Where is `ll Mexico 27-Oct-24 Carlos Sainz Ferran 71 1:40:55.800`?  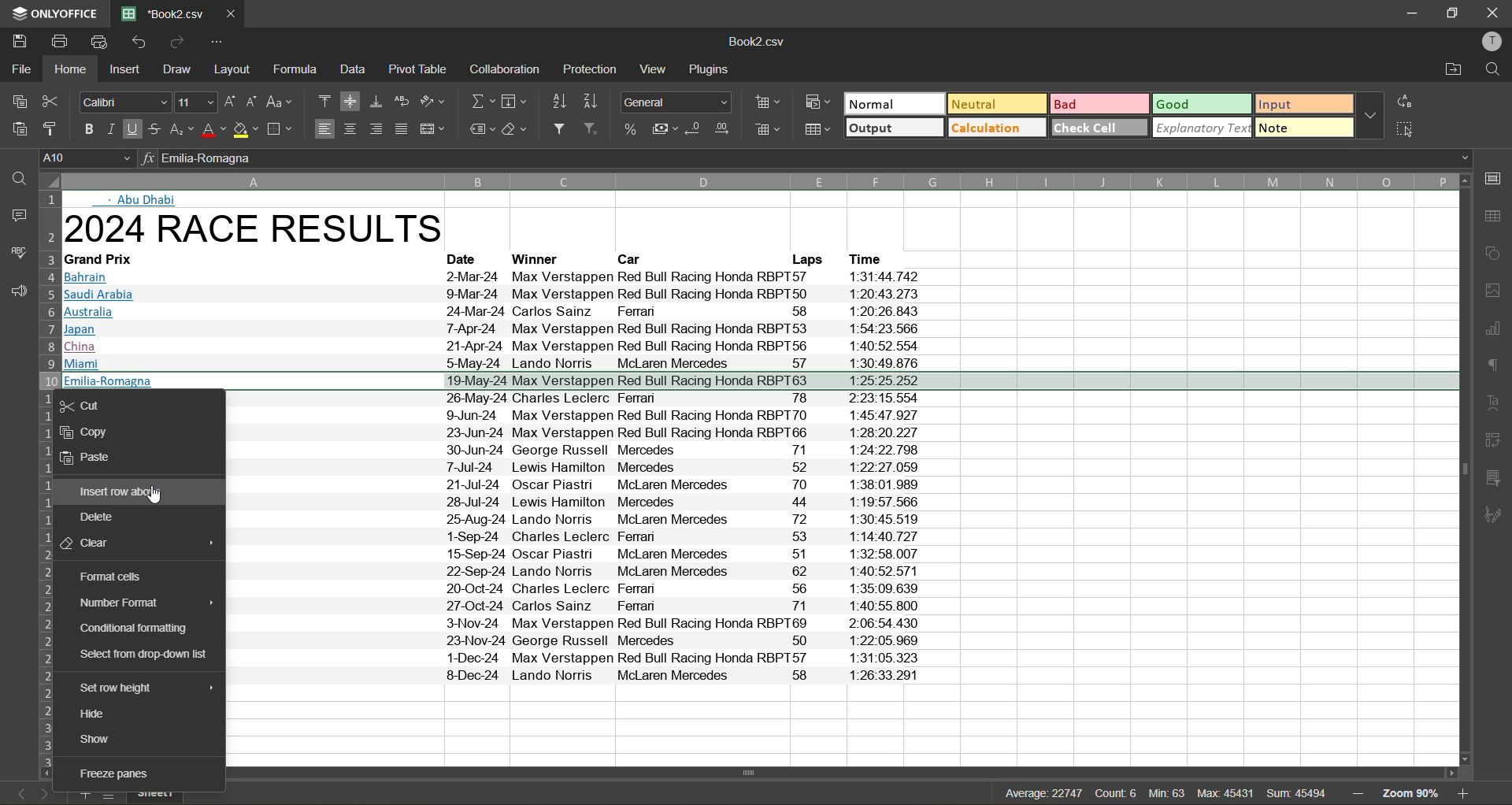 ll Mexico 27-Oct-24 Carlos Sainz Ferran 71 1:40:55.800 is located at coordinates (581, 607).